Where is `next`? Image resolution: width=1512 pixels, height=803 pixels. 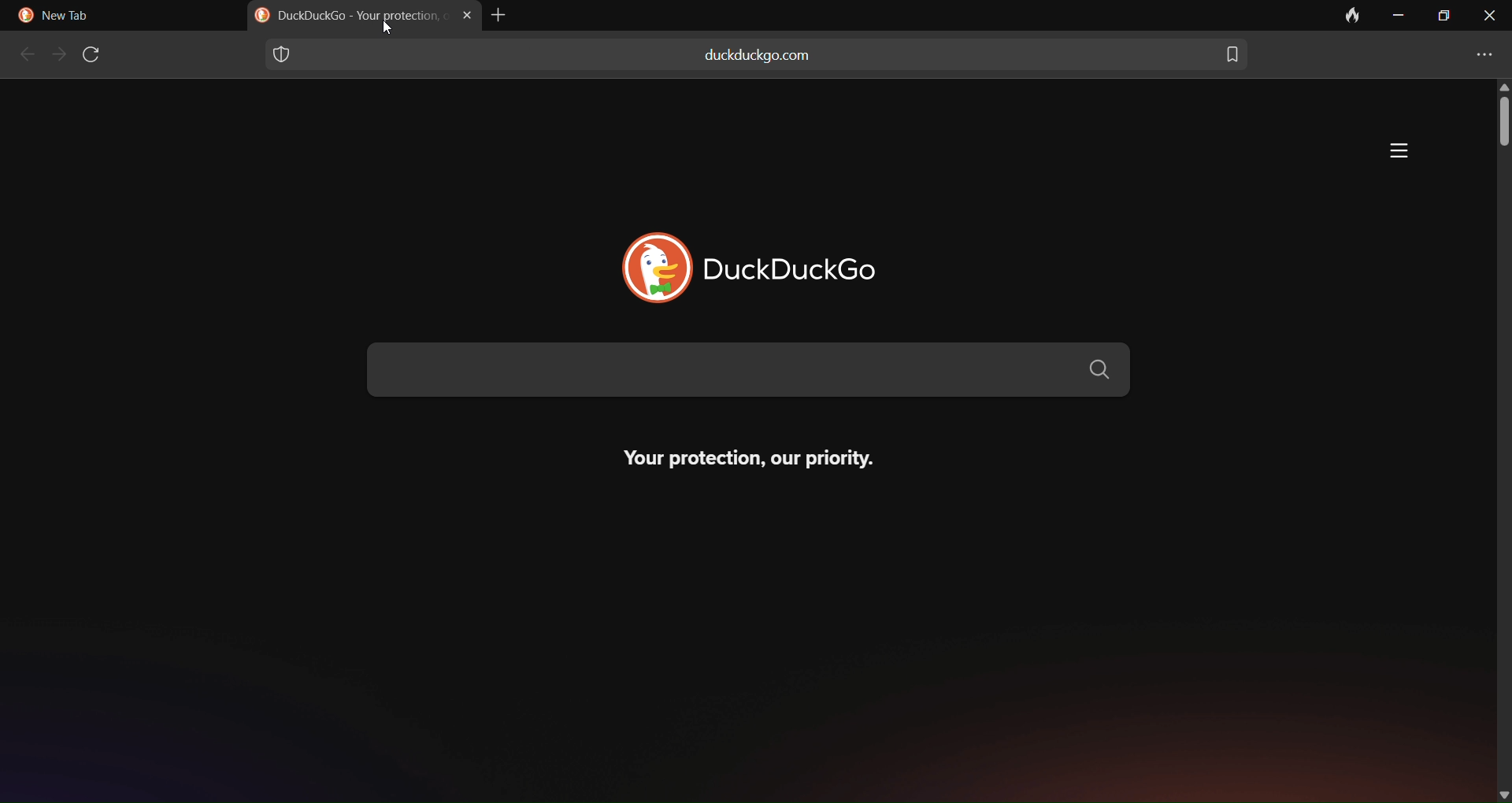
next is located at coordinates (57, 55).